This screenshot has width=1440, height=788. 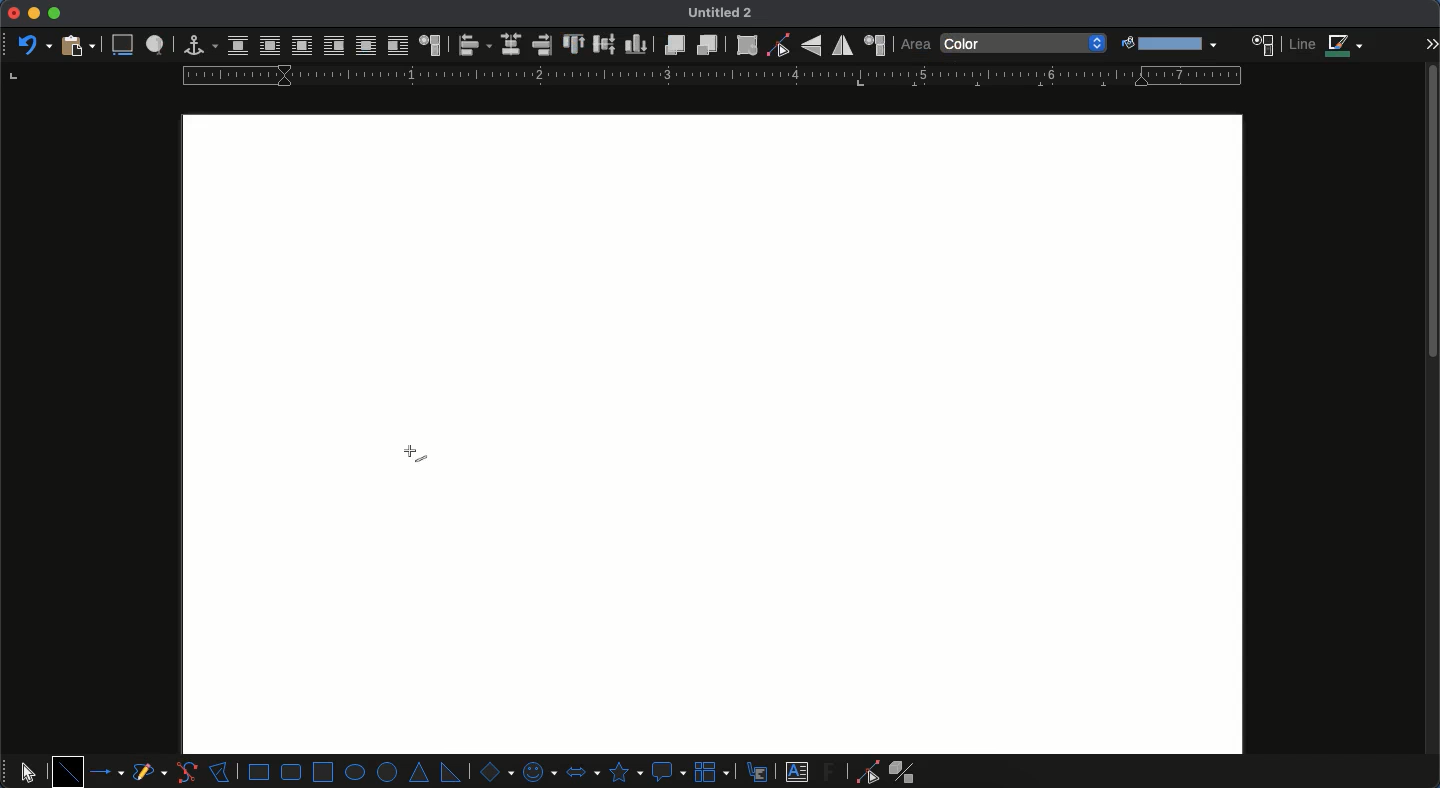 I want to click on optimal, so click(x=301, y=45).